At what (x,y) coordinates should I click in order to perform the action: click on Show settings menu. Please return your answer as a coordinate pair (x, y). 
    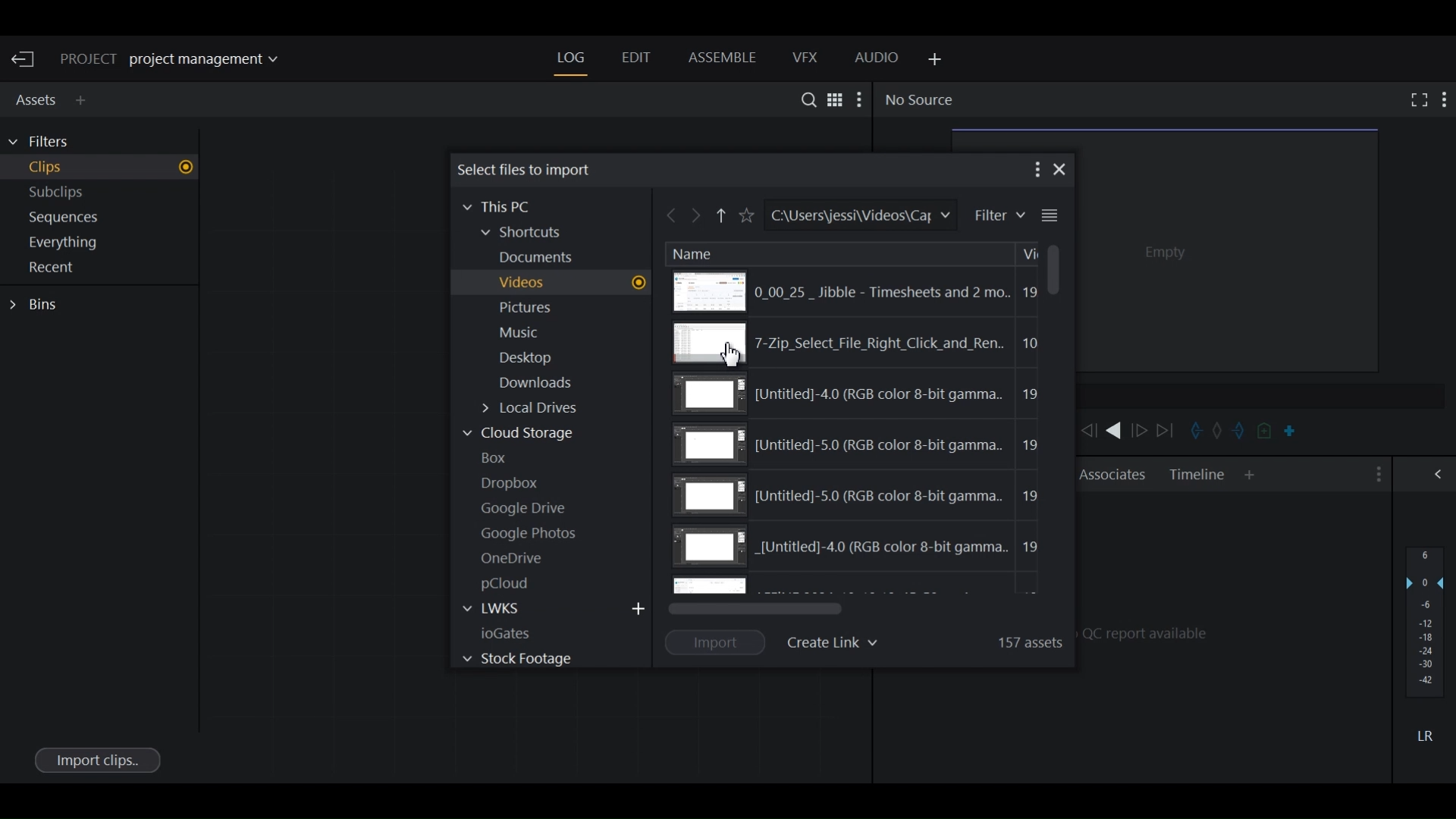
    Looking at the image, I should click on (1376, 475).